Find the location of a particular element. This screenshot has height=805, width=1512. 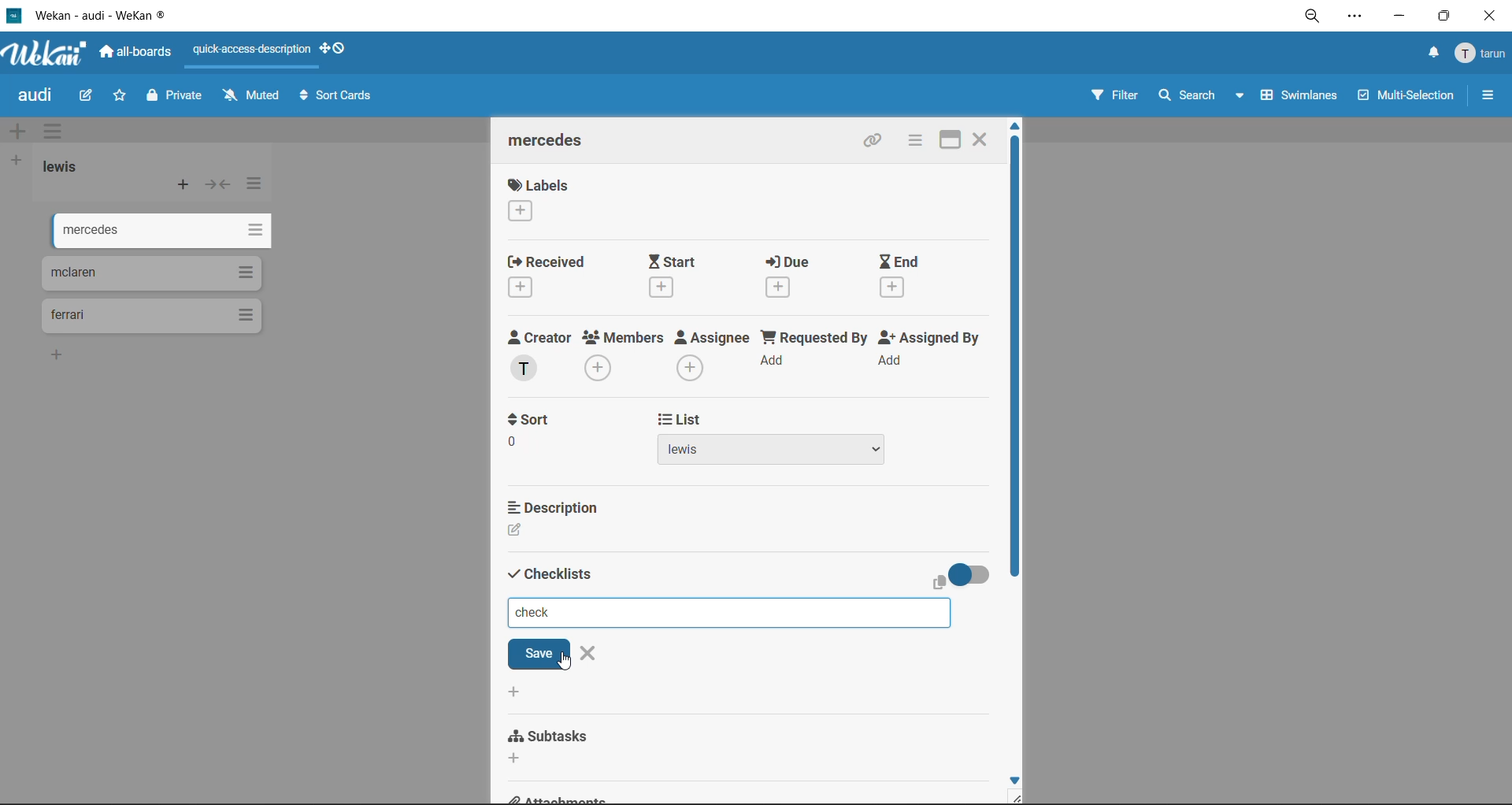

title updated is located at coordinates (536, 612).